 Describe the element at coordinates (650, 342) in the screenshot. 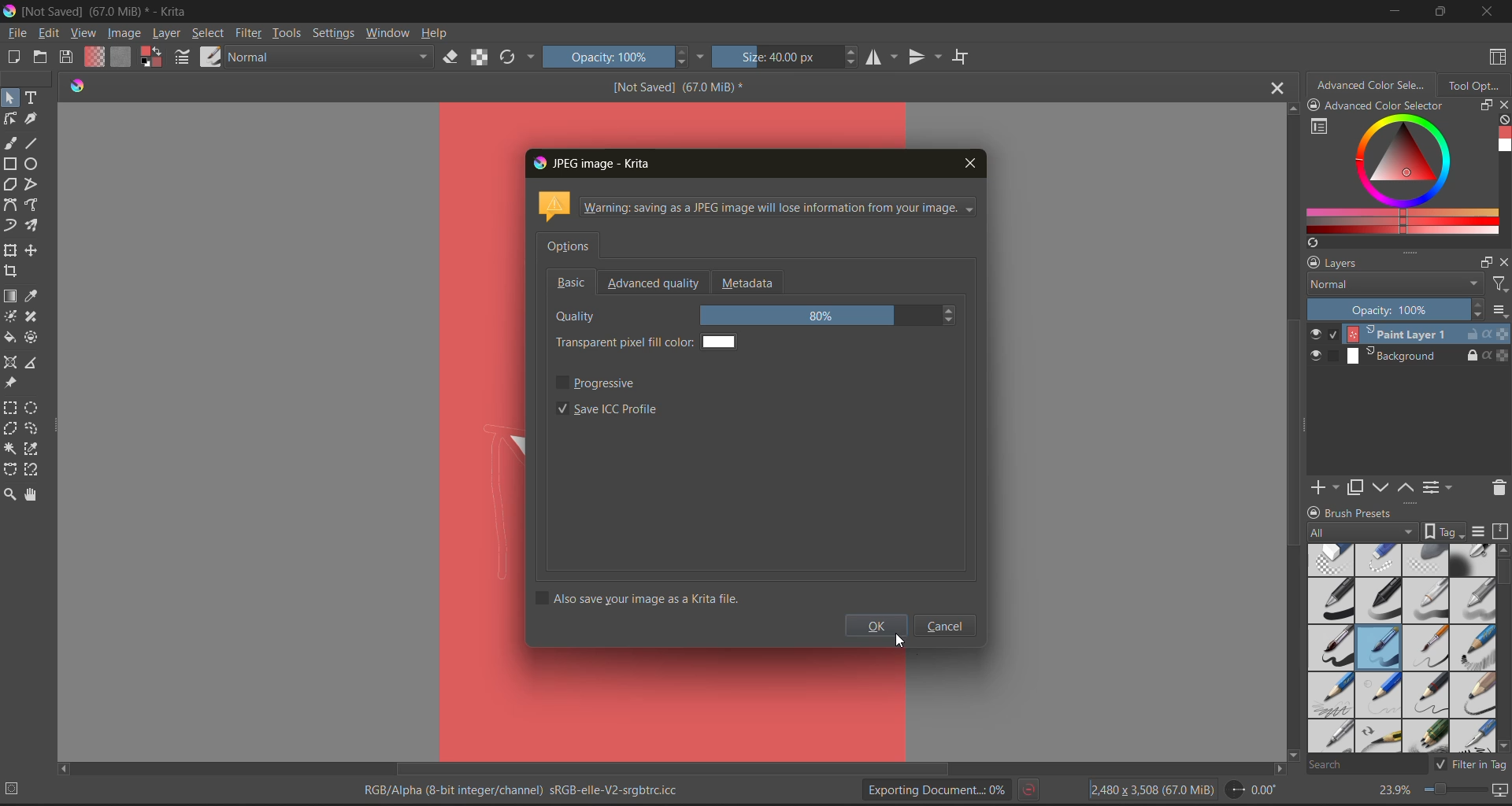

I see `transparent pixel fill color` at that location.